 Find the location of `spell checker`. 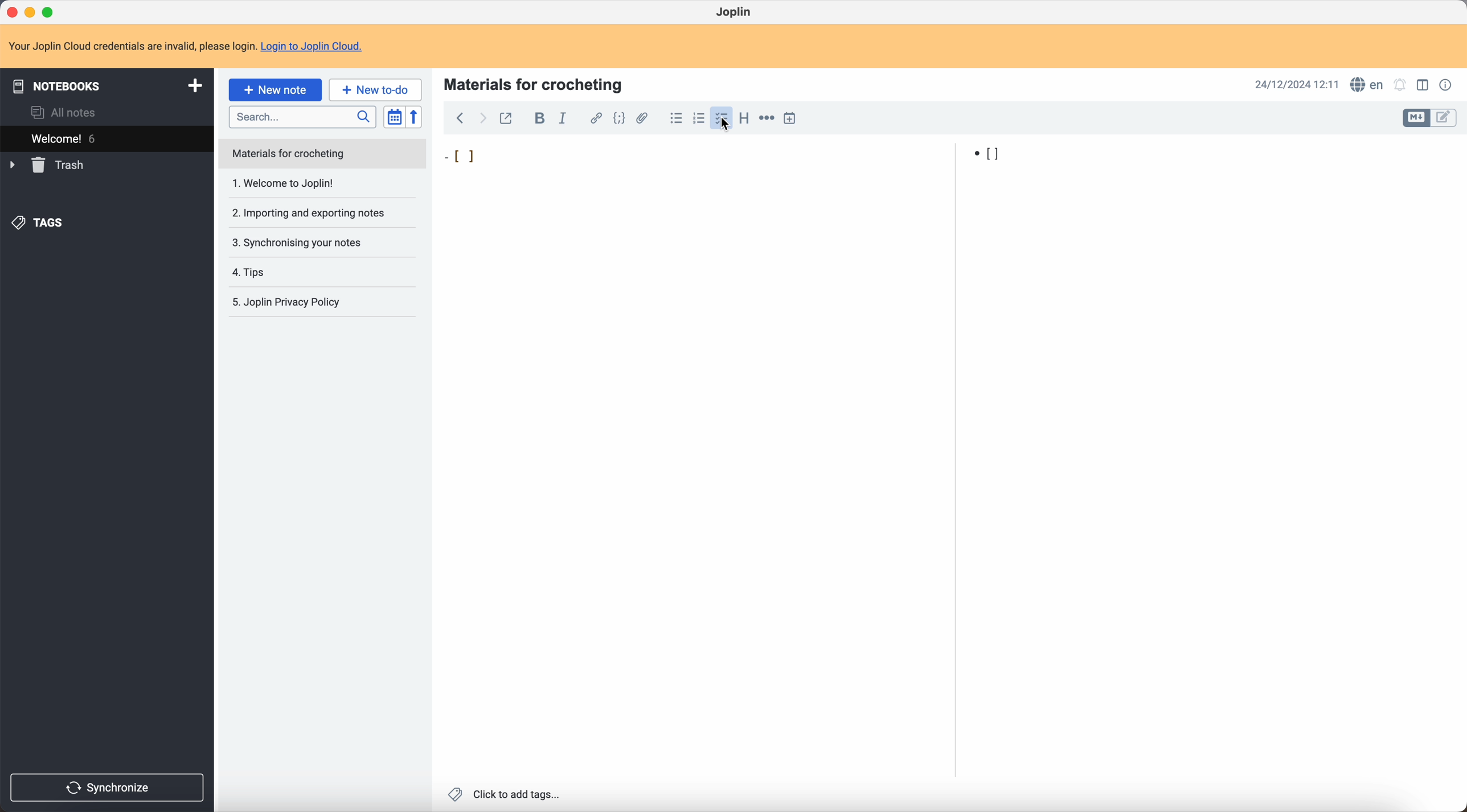

spell checker is located at coordinates (1365, 84).